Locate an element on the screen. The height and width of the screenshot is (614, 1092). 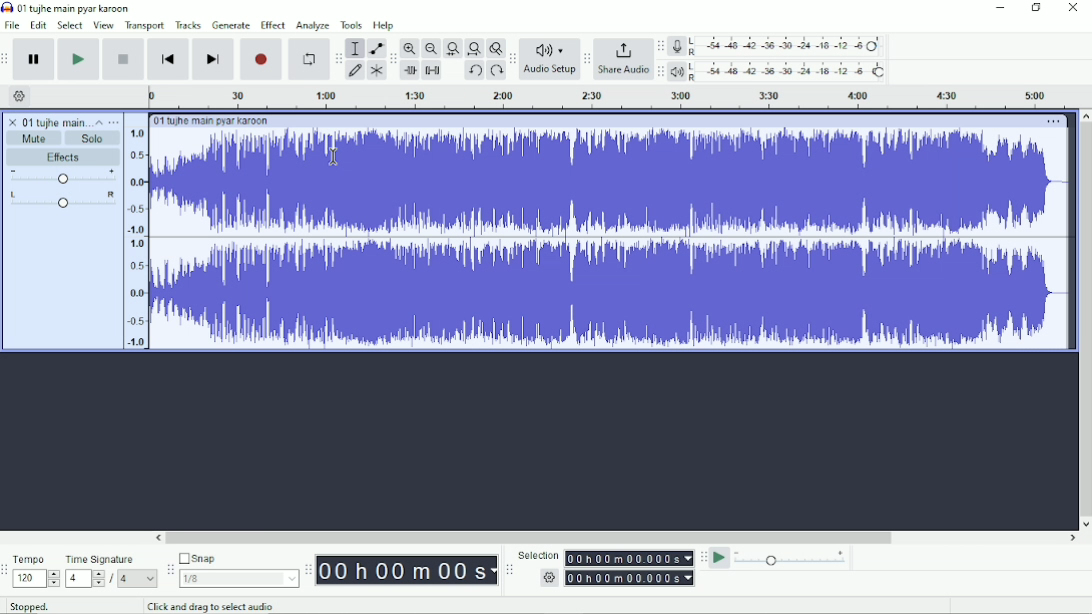
Playback speed is located at coordinates (792, 558).